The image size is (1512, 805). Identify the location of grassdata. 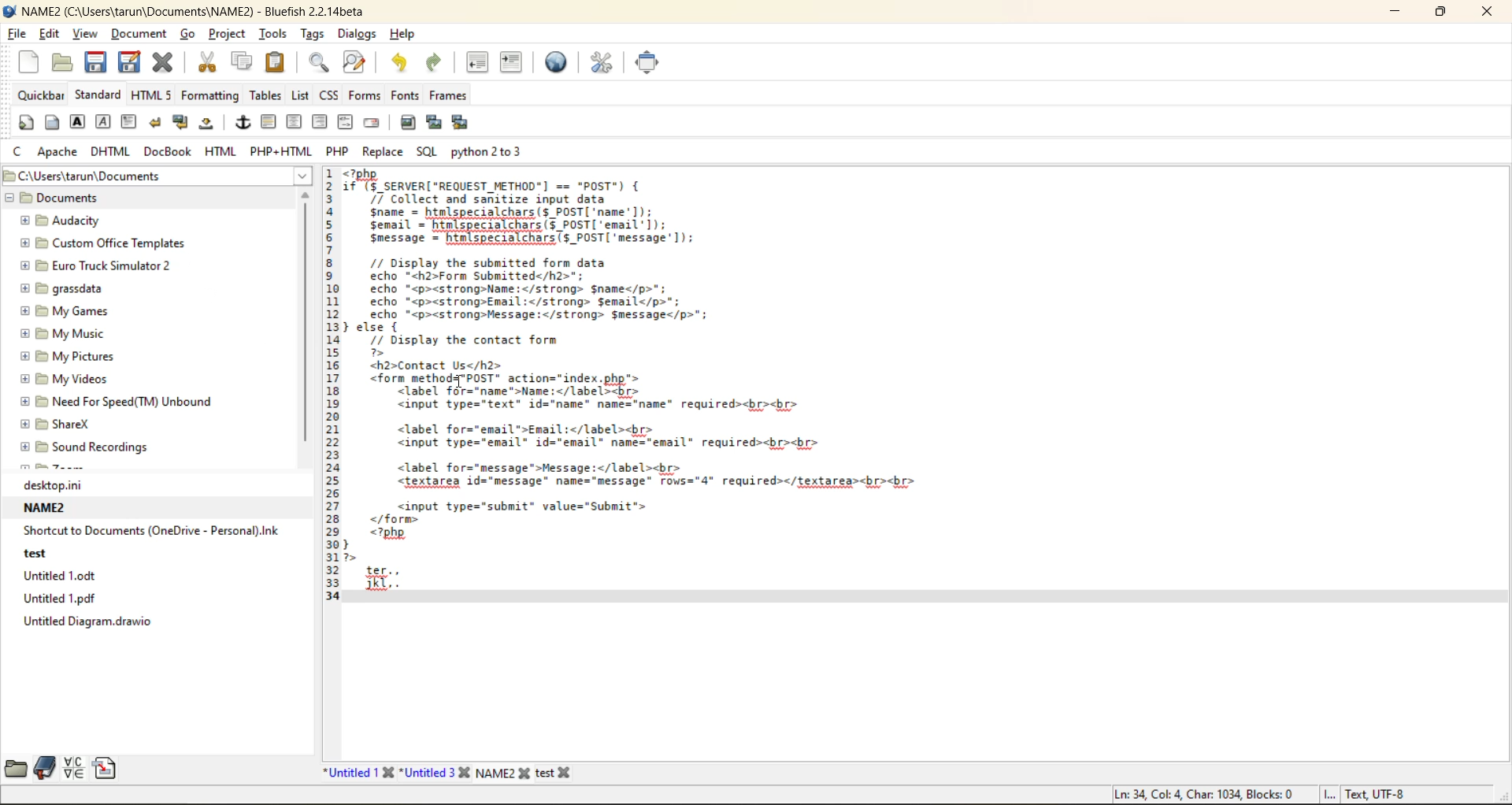
(74, 289).